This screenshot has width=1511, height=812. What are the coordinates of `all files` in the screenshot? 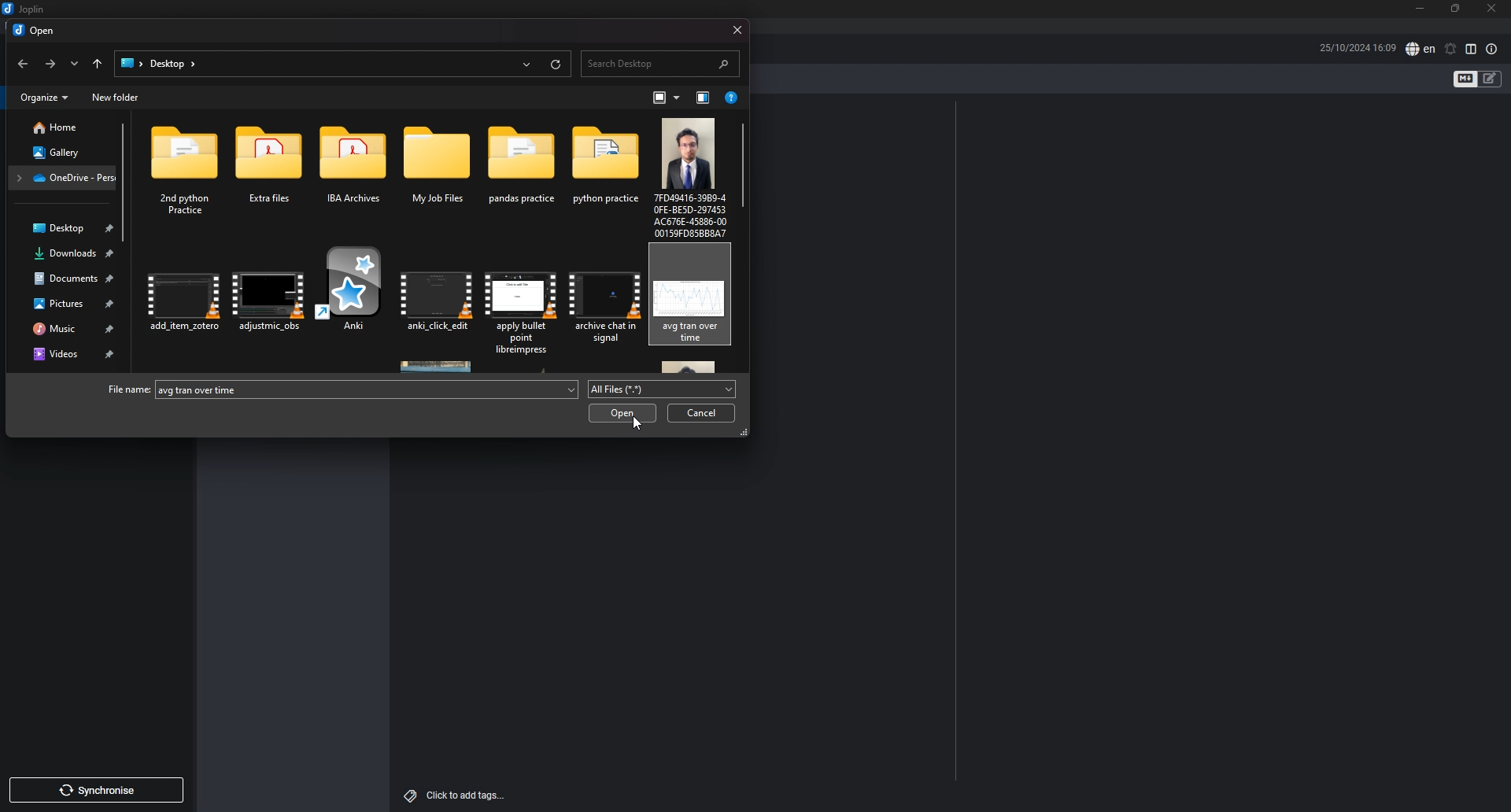 It's located at (663, 389).